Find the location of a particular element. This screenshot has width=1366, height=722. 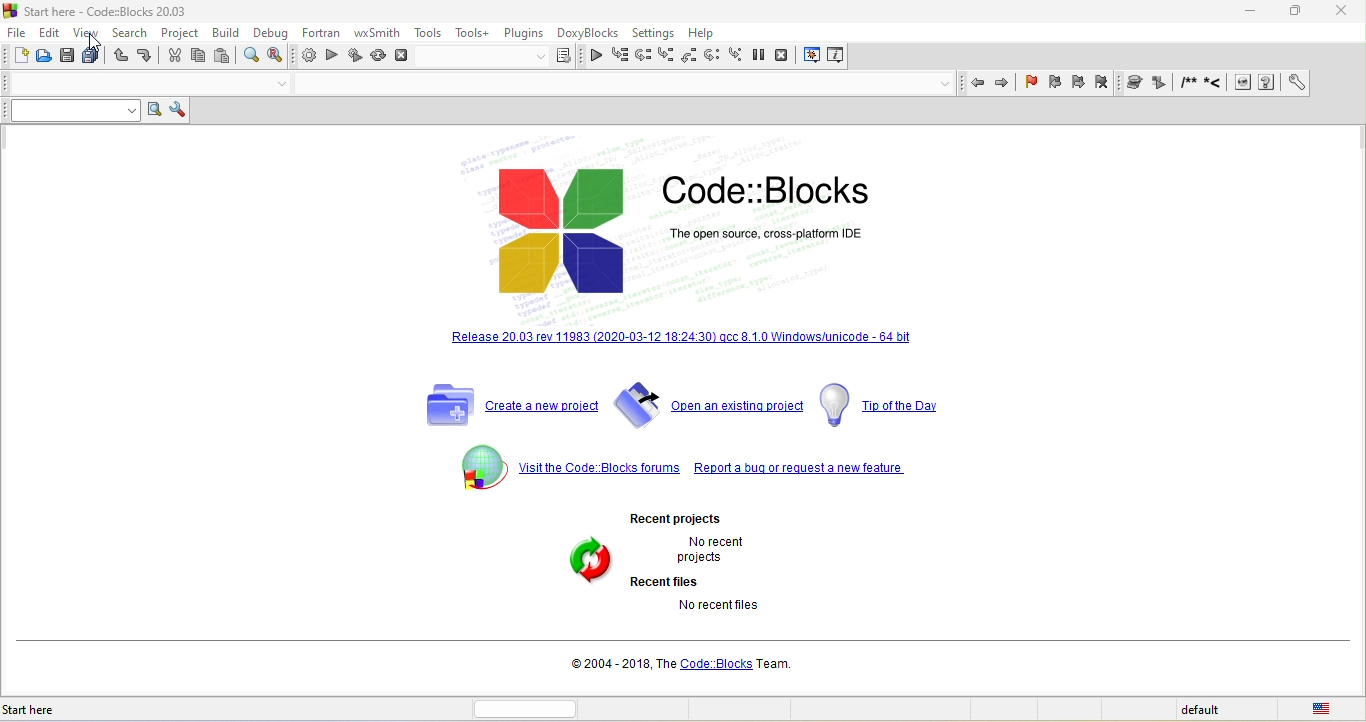

united state is located at coordinates (1326, 710).